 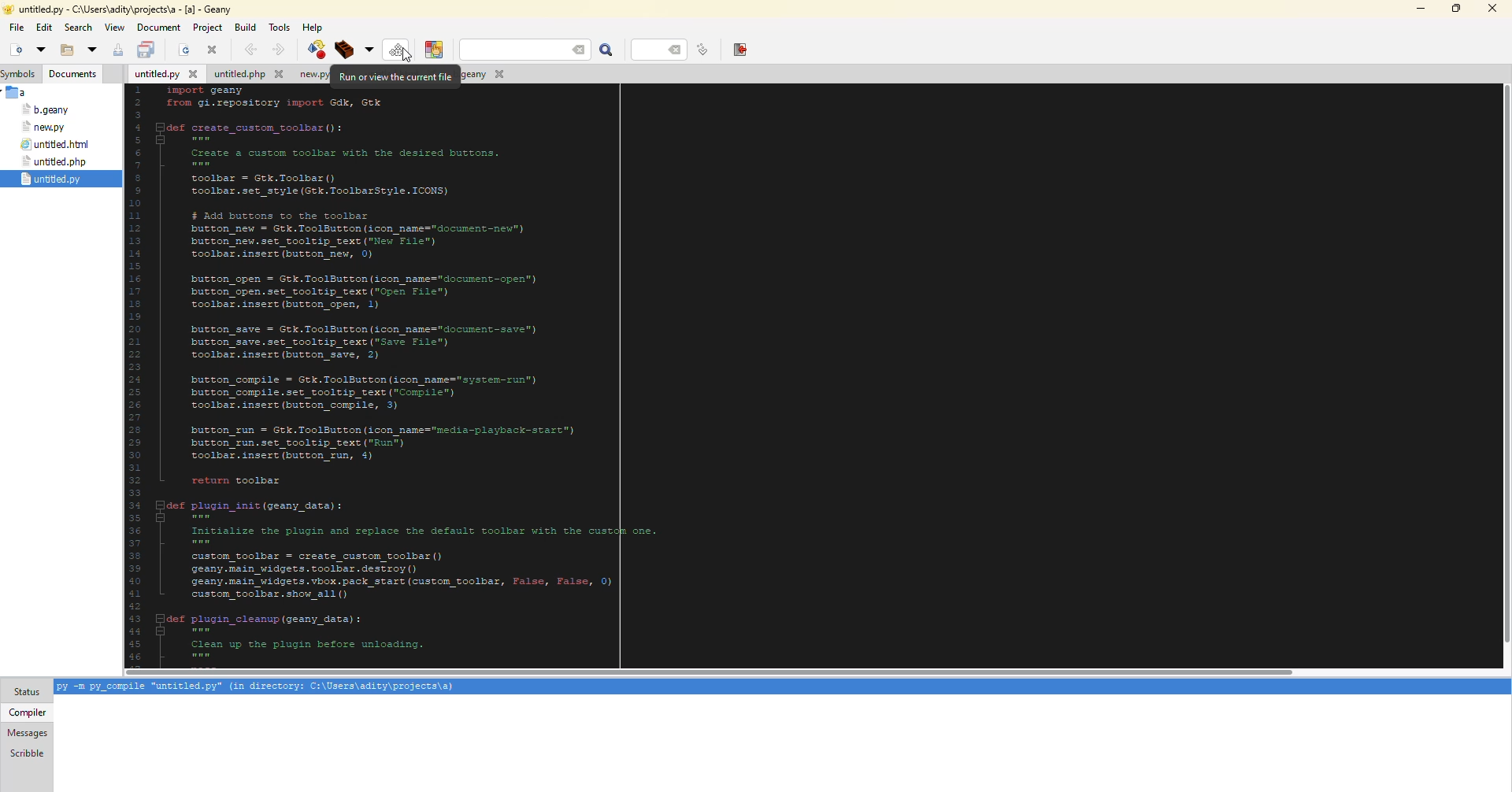 What do you see at coordinates (29, 732) in the screenshot?
I see `messages` at bounding box center [29, 732].